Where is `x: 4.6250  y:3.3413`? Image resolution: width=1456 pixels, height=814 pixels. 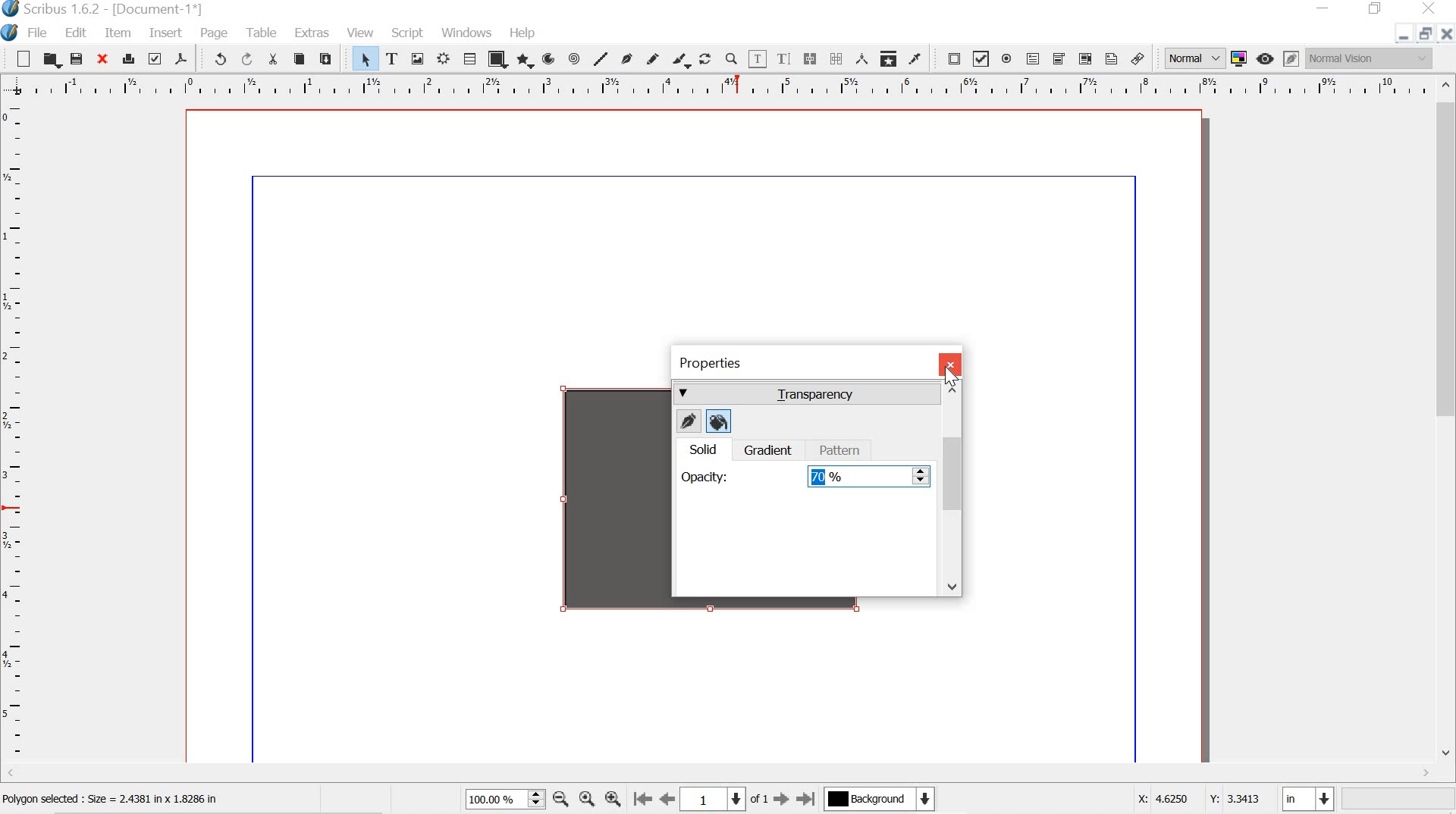
x: 4.6250  y:3.3413 is located at coordinates (1197, 798).